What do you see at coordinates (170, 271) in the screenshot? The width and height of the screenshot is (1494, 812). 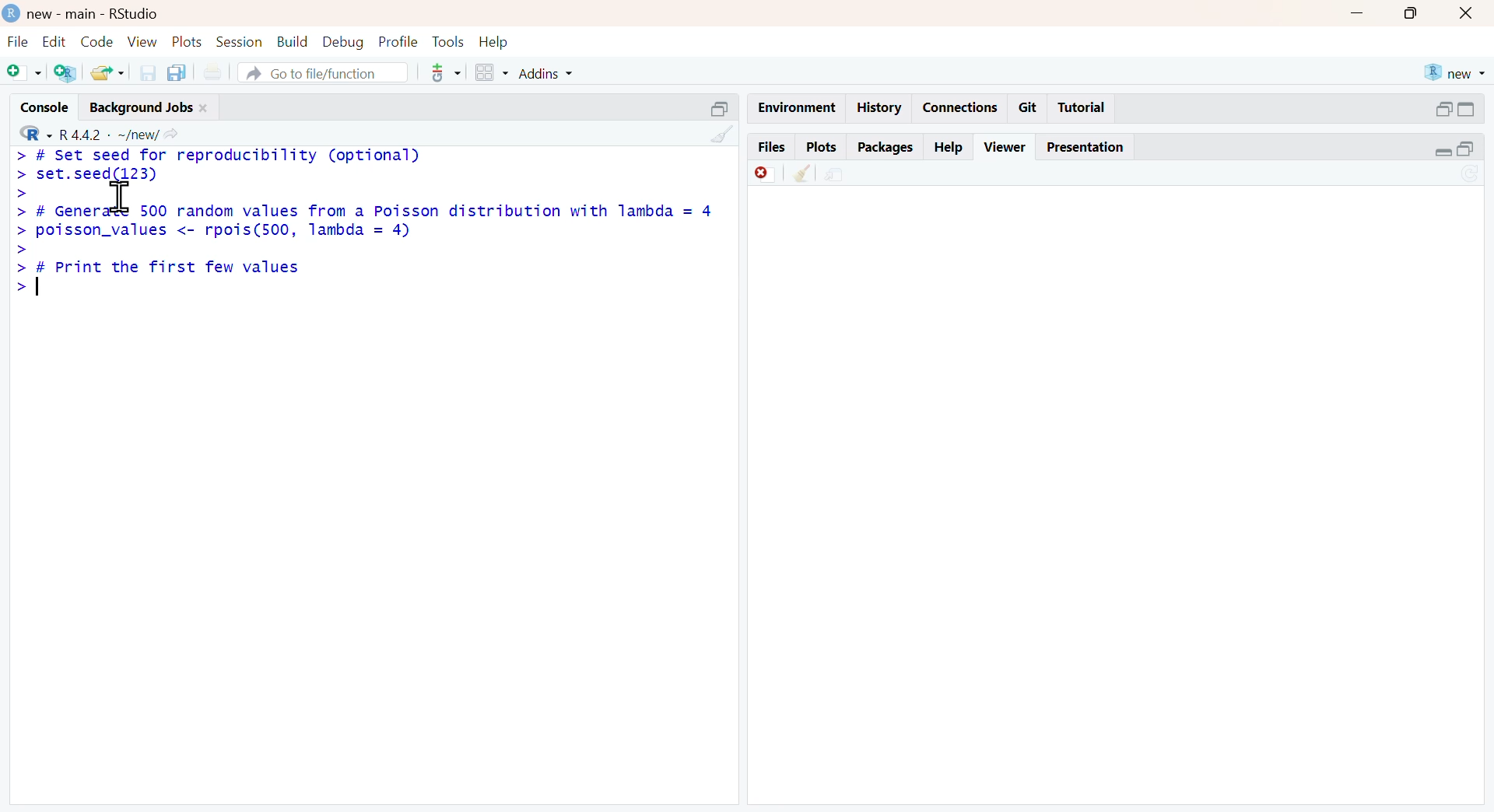 I see `# Print the first few values` at bounding box center [170, 271].